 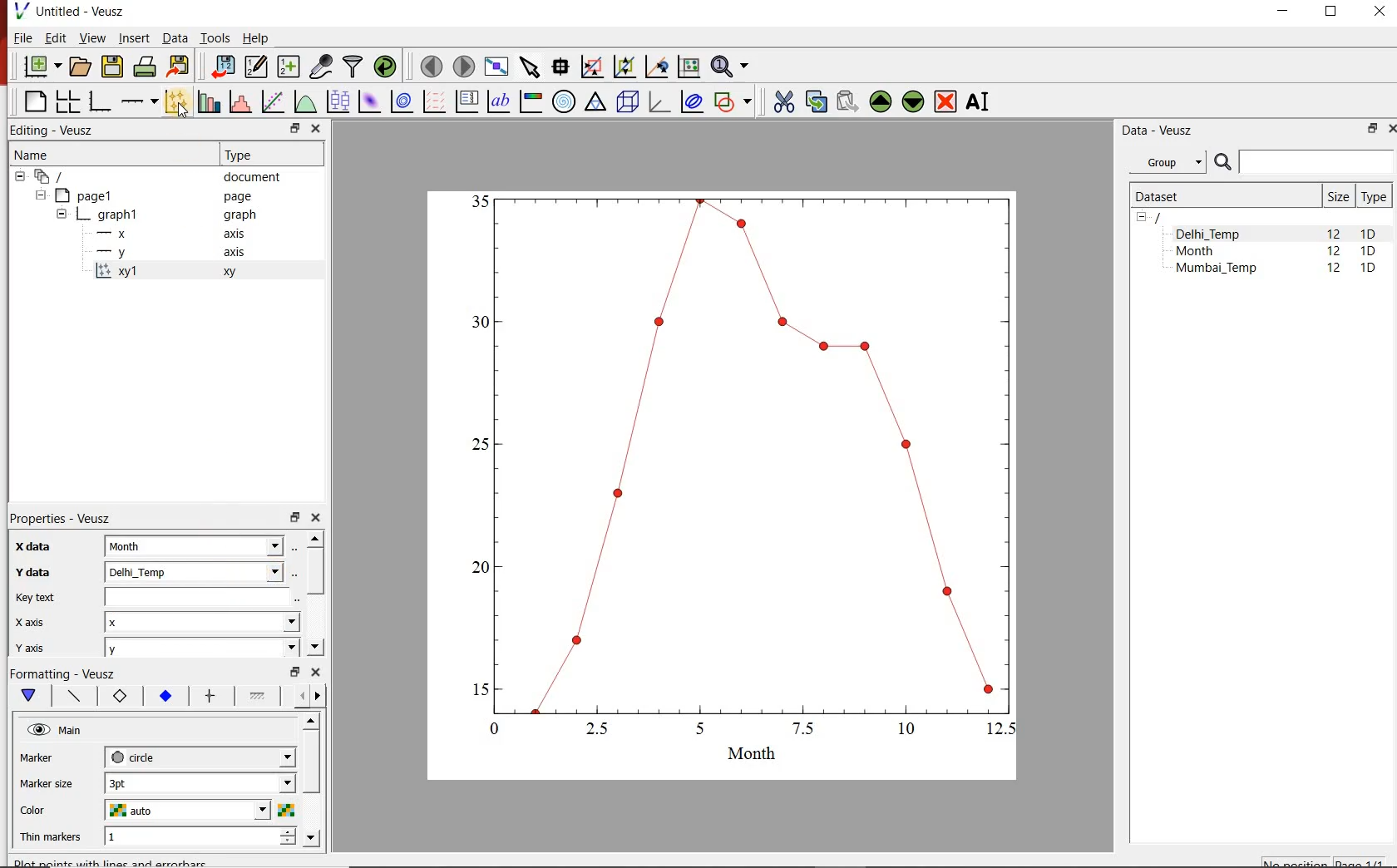 I want to click on fit a function to data, so click(x=272, y=101).